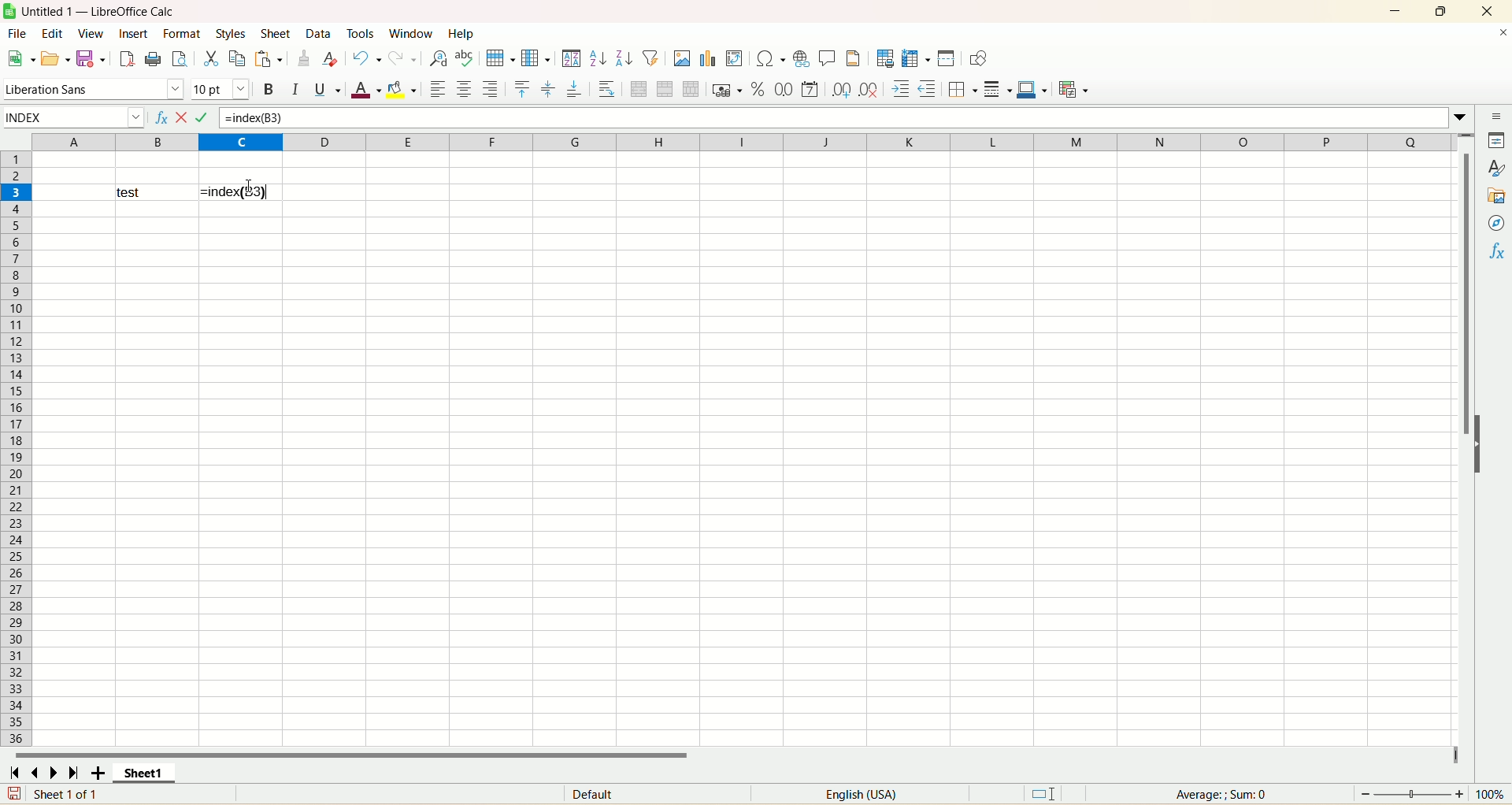 This screenshot has height=805, width=1512. Describe the element at coordinates (74, 772) in the screenshot. I see `last sheet` at that location.